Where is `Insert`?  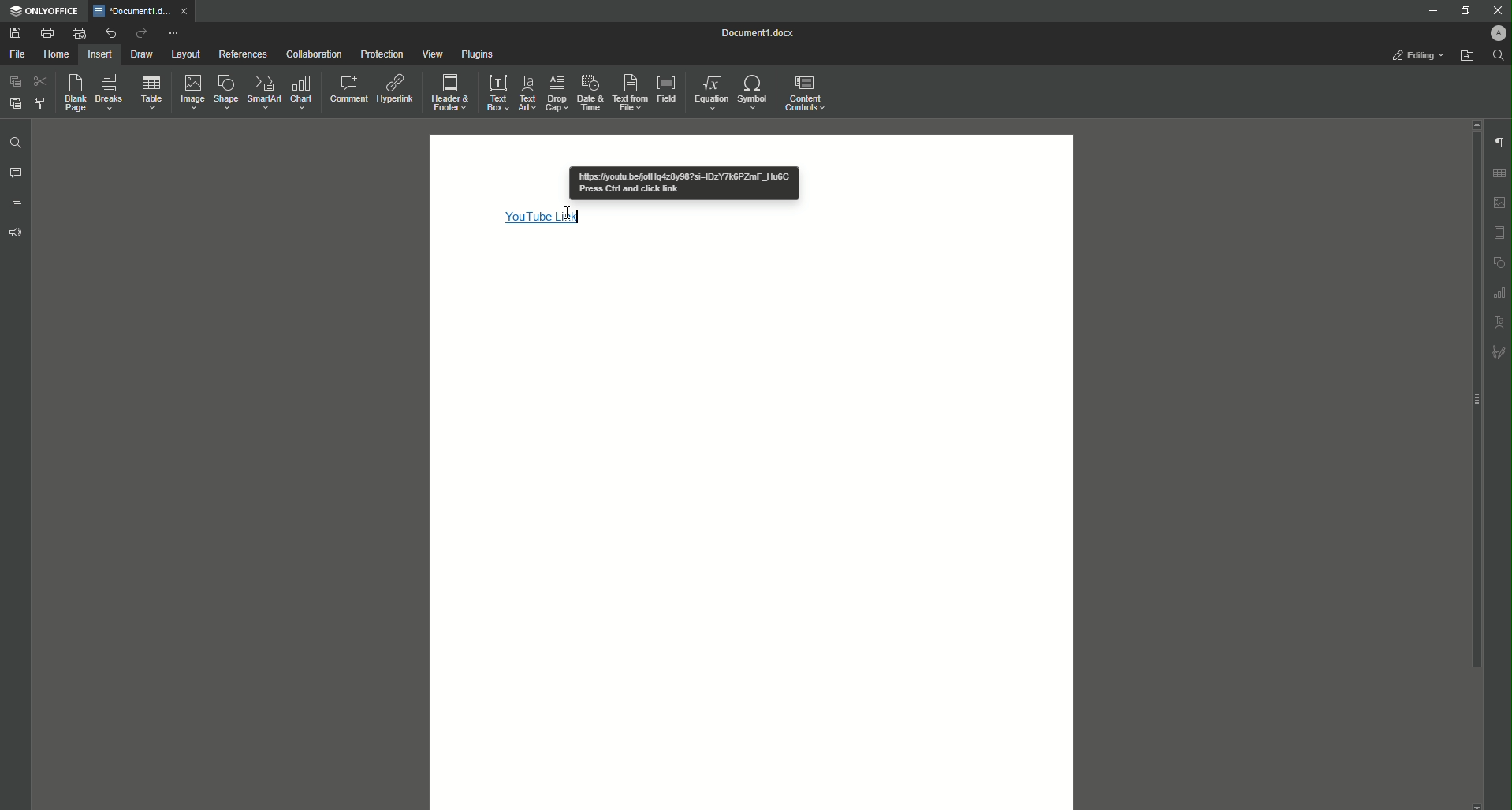 Insert is located at coordinates (101, 54).